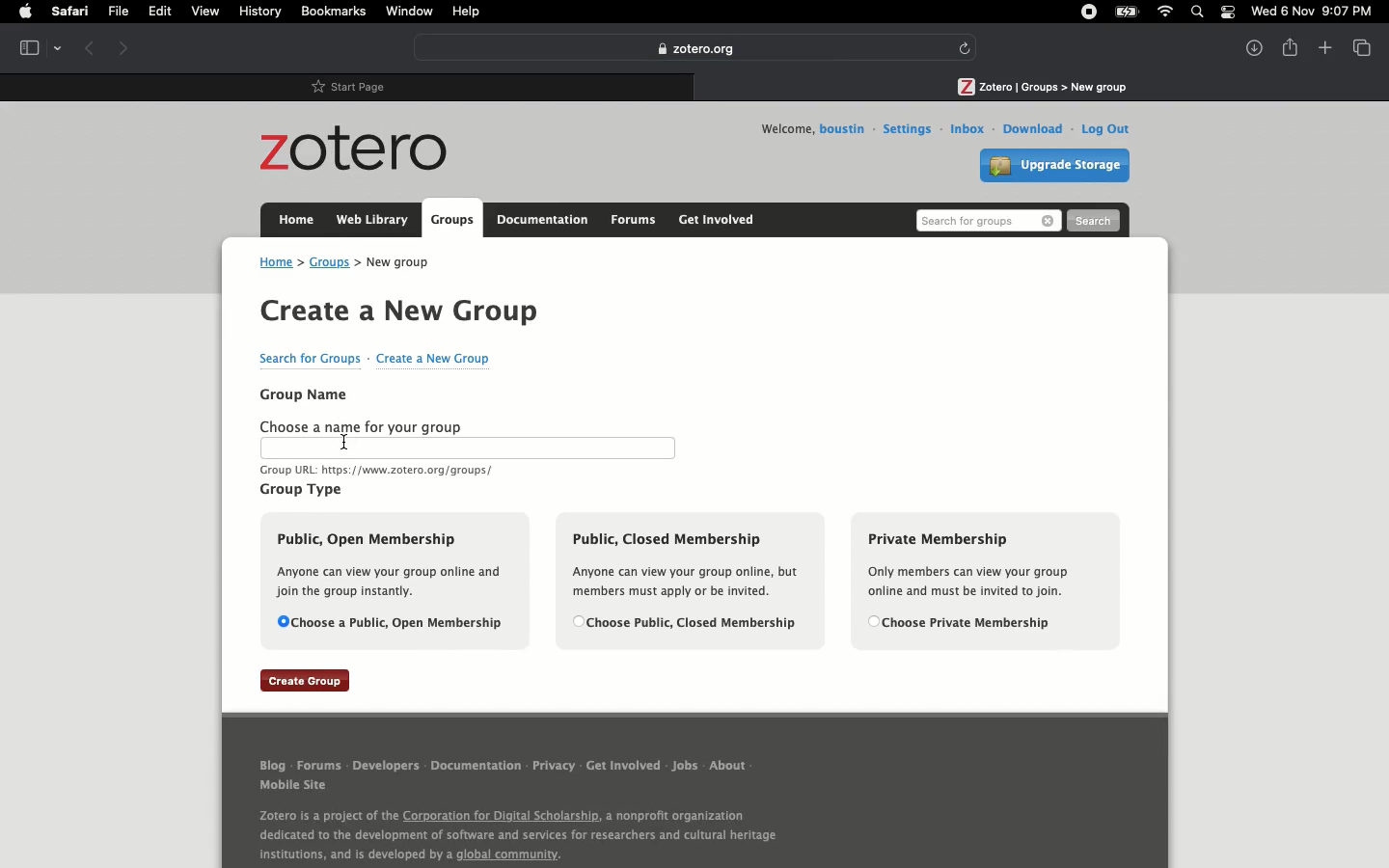 This screenshot has width=1389, height=868. I want to click on Apple logo, so click(24, 13).